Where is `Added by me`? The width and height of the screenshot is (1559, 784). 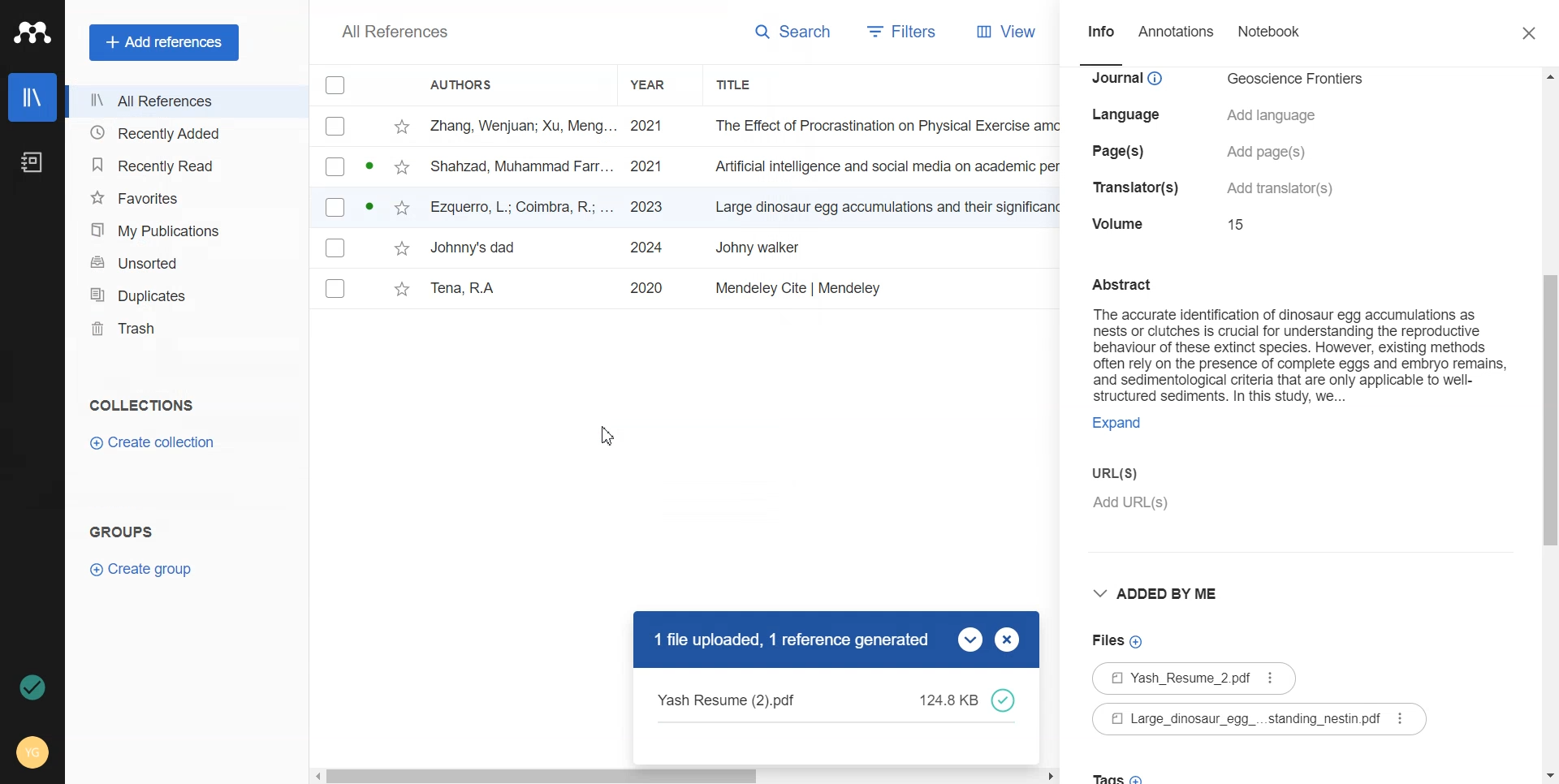
Added by me is located at coordinates (1161, 597).